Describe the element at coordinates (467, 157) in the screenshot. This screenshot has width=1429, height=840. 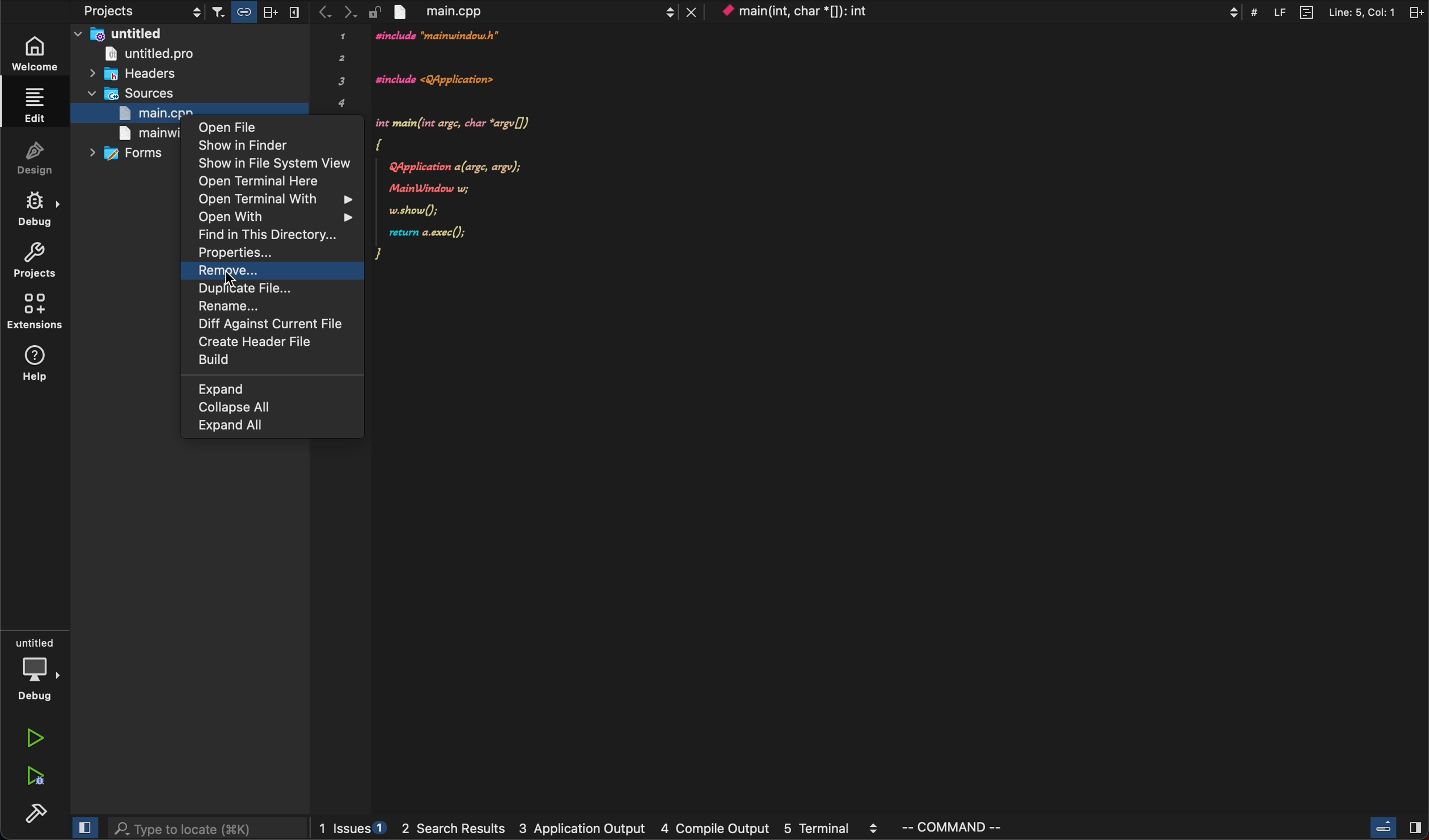
I see `code` at that location.